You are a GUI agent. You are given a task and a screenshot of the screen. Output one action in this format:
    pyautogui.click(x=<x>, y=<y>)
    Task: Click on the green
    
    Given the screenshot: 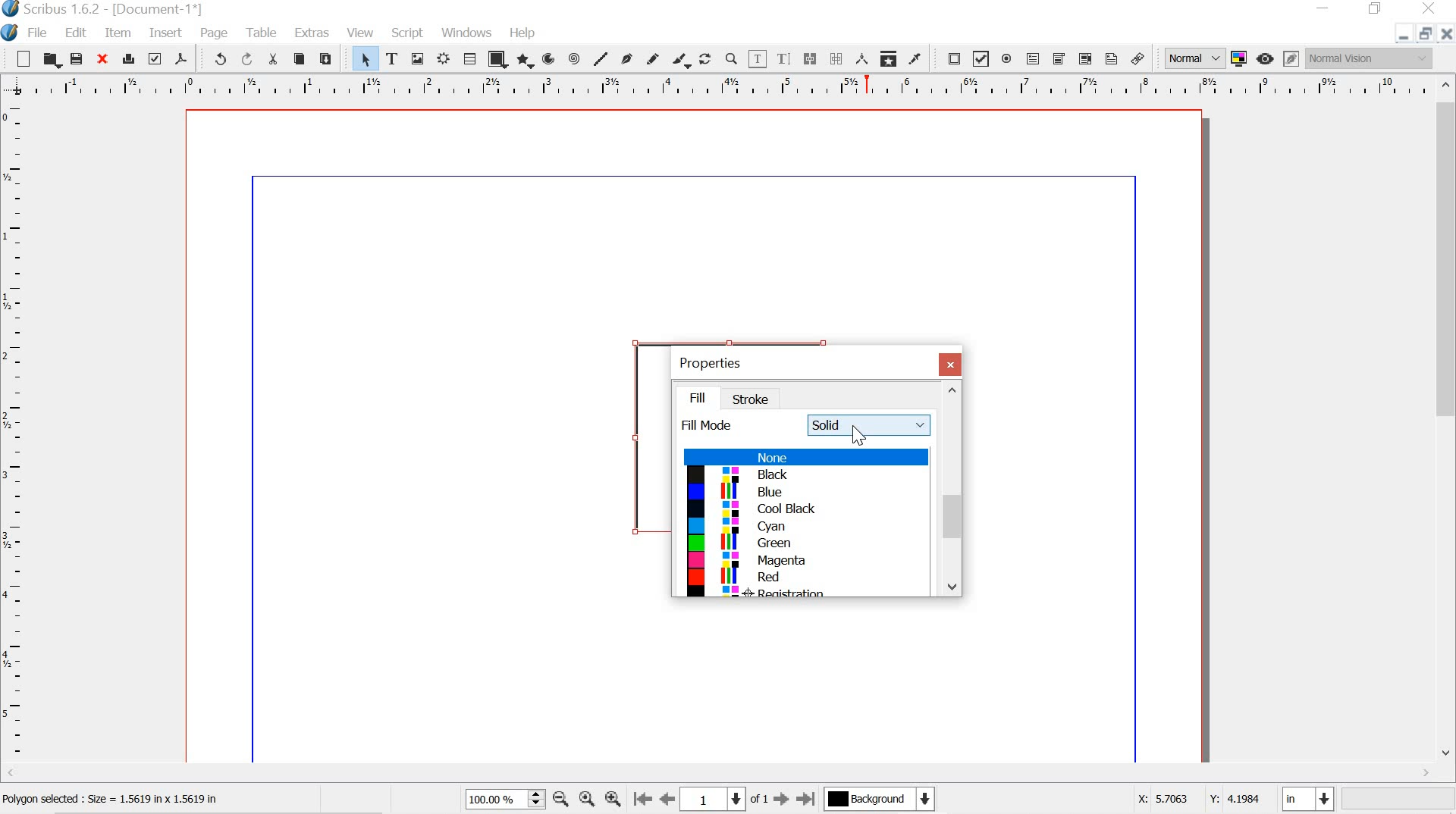 What is the action you would take?
    pyautogui.click(x=800, y=546)
    